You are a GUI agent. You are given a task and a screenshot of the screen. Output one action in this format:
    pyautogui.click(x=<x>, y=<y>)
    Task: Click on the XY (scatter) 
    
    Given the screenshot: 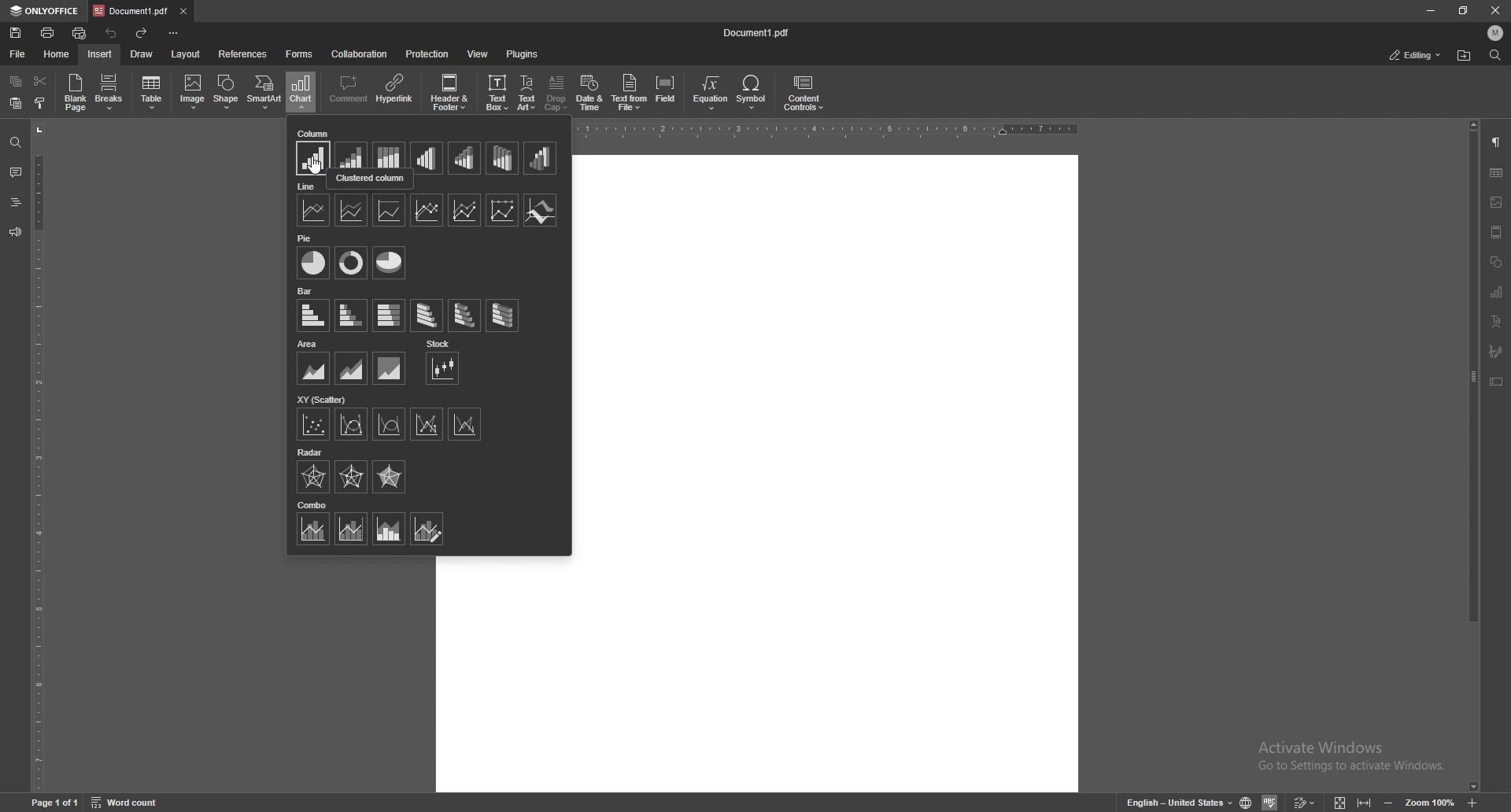 What is the action you would take?
    pyautogui.click(x=322, y=400)
    